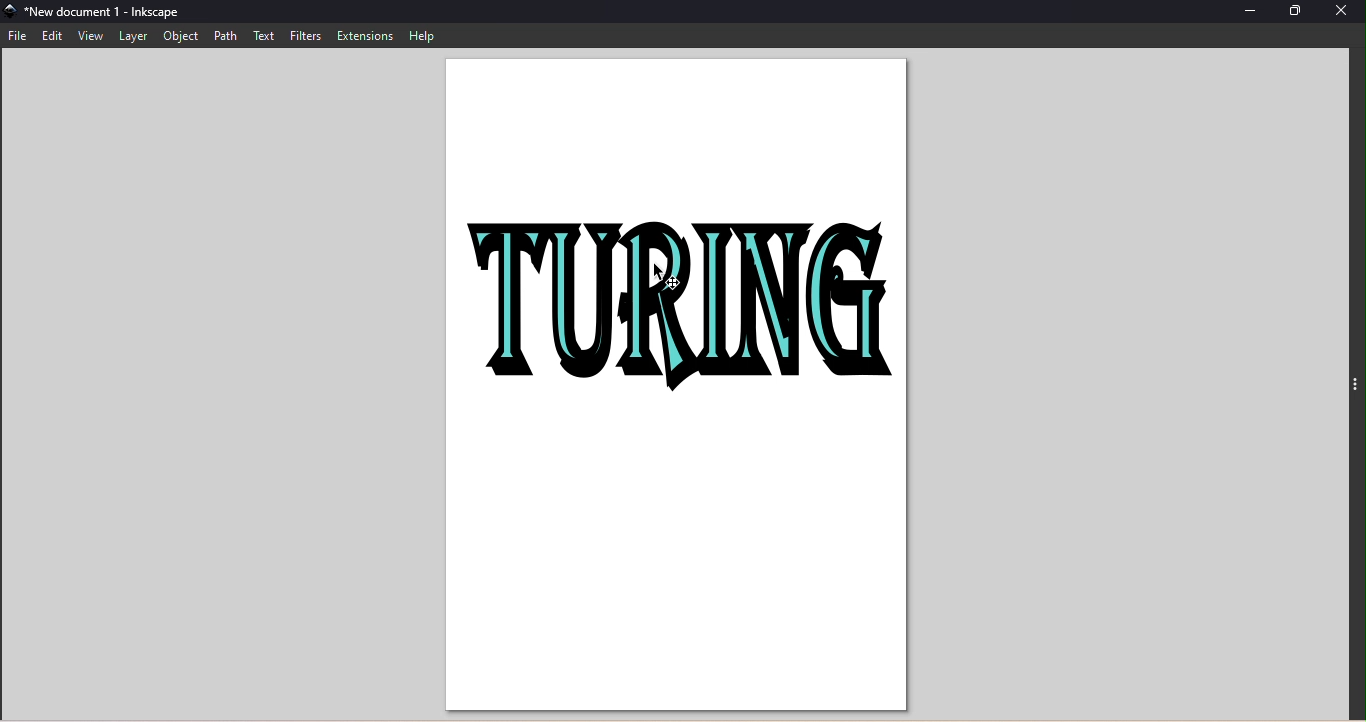  What do you see at coordinates (262, 35) in the screenshot?
I see `Text` at bounding box center [262, 35].